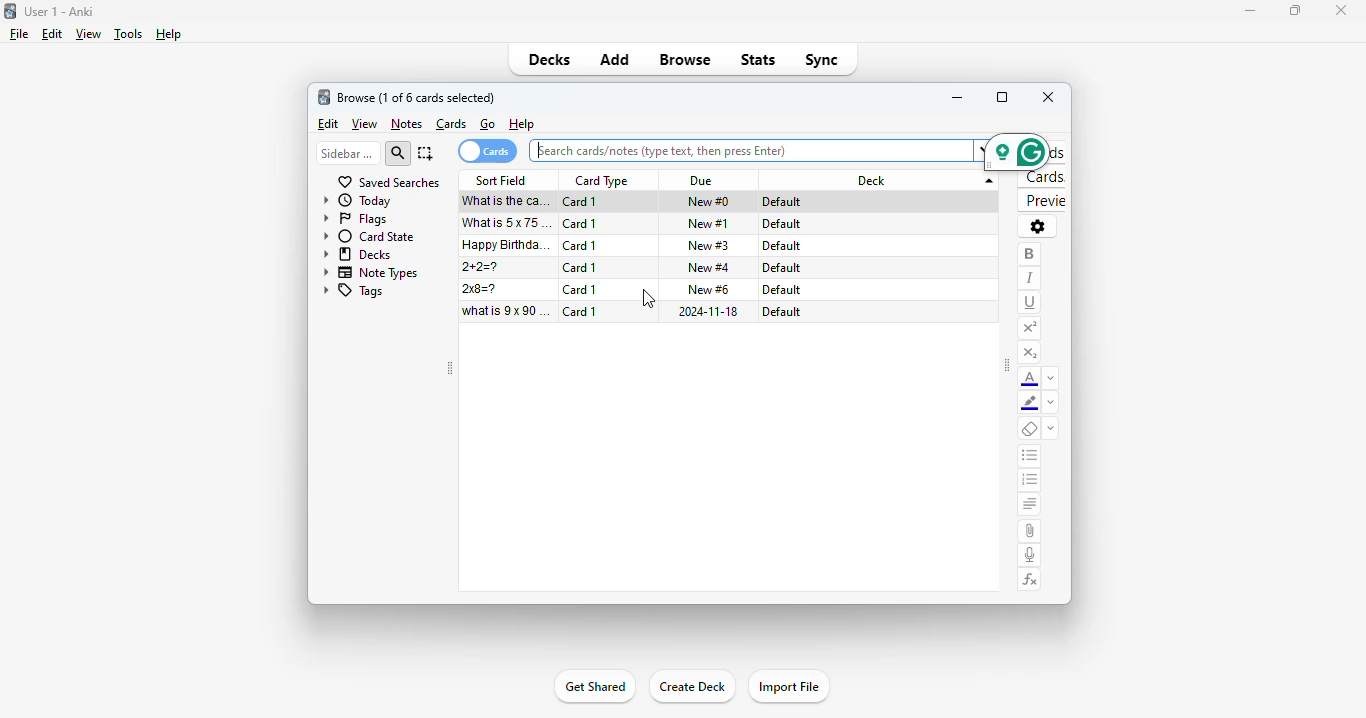 This screenshot has height=718, width=1366. What do you see at coordinates (593, 688) in the screenshot?
I see `get shared` at bounding box center [593, 688].